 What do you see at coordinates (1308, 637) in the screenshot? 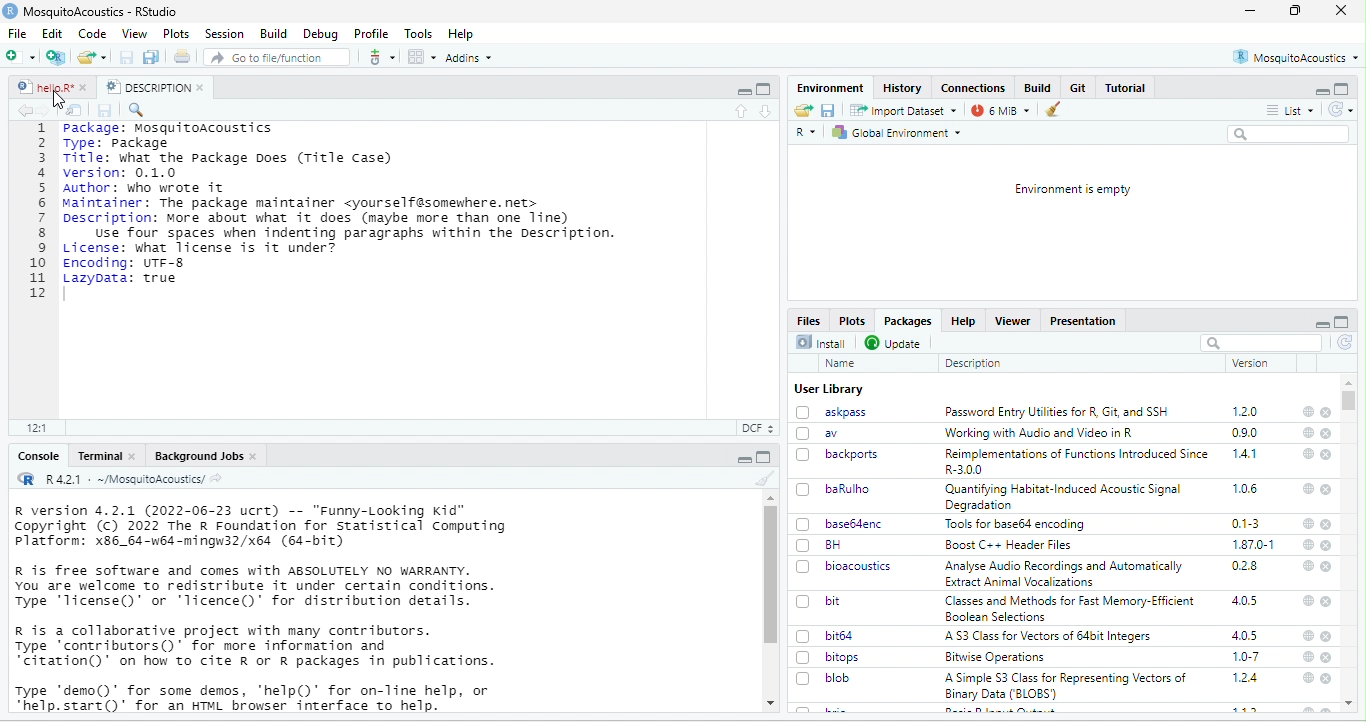
I see `help` at bounding box center [1308, 637].